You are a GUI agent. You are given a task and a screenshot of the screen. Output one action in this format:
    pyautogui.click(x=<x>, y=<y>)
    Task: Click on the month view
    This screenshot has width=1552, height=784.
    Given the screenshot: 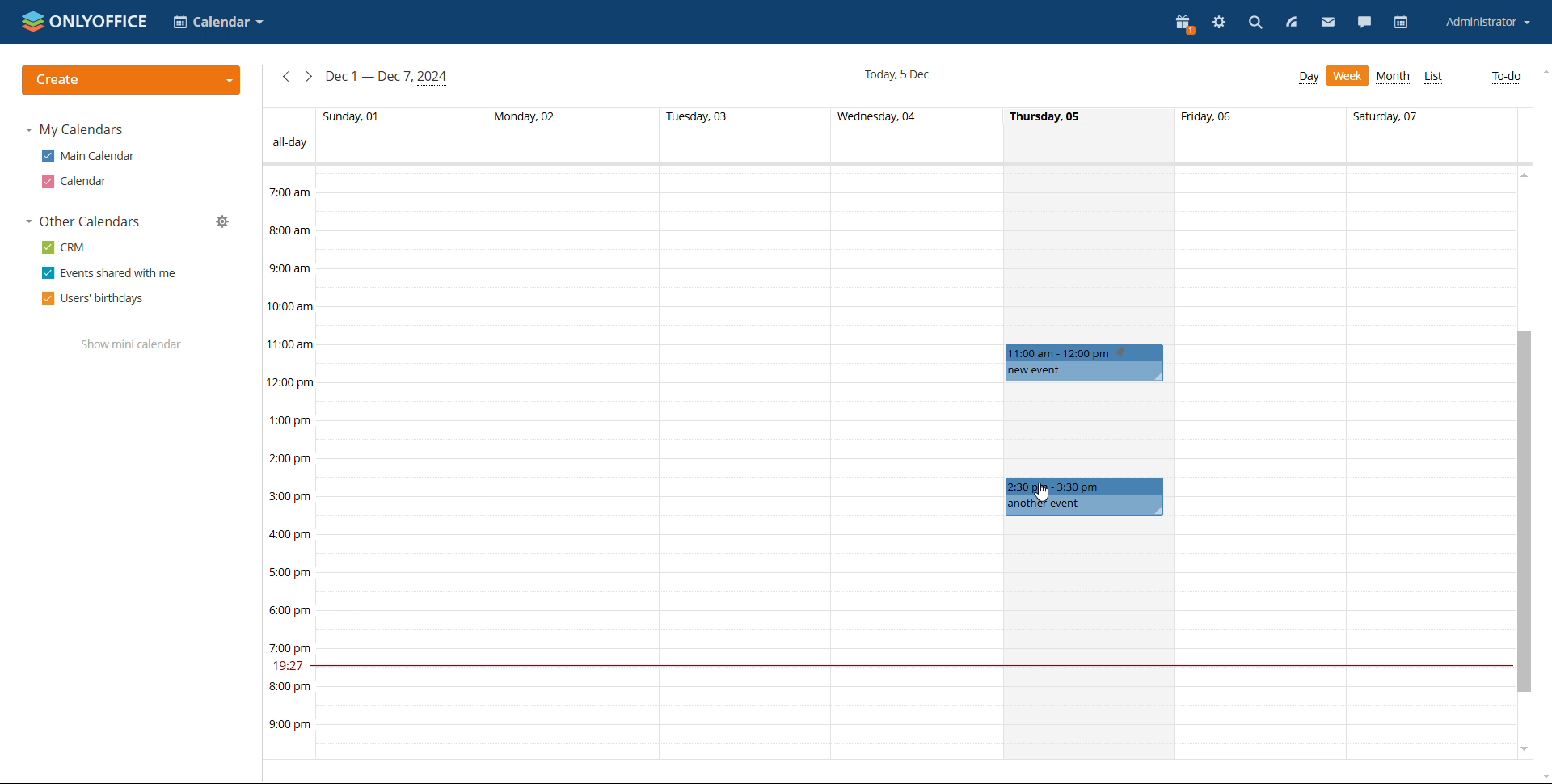 What is the action you would take?
    pyautogui.click(x=1394, y=78)
    